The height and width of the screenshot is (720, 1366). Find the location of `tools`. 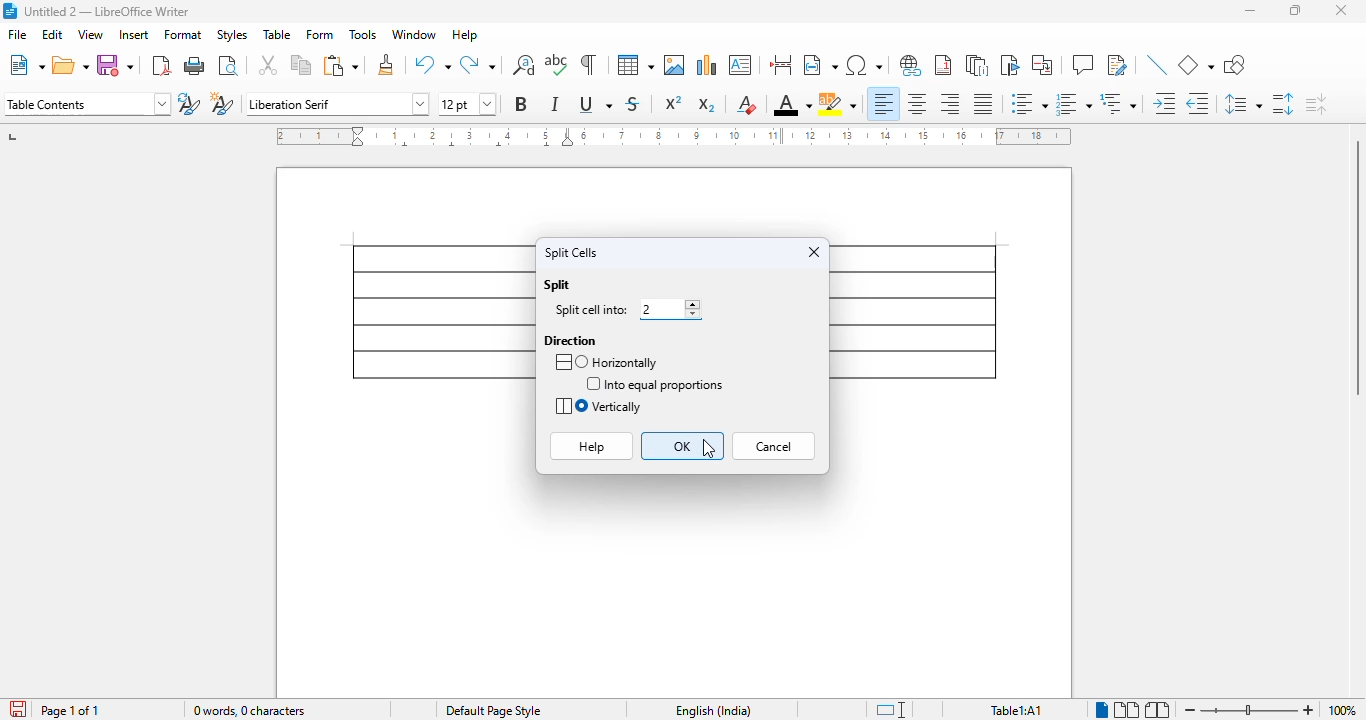

tools is located at coordinates (363, 34).